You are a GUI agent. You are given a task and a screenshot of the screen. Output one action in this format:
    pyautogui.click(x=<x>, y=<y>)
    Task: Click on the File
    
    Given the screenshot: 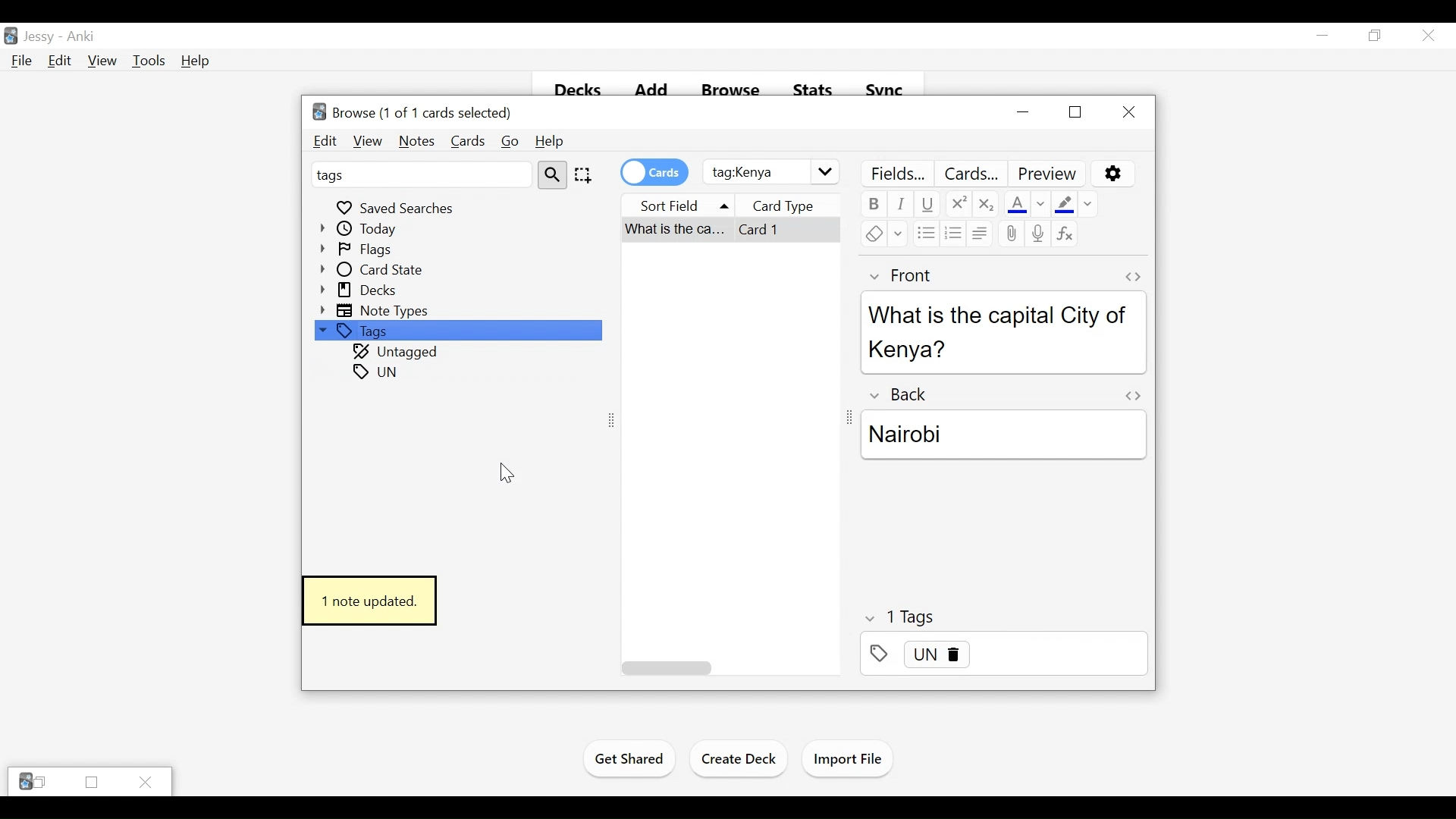 What is the action you would take?
    pyautogui.click(x=19, y=61)
    